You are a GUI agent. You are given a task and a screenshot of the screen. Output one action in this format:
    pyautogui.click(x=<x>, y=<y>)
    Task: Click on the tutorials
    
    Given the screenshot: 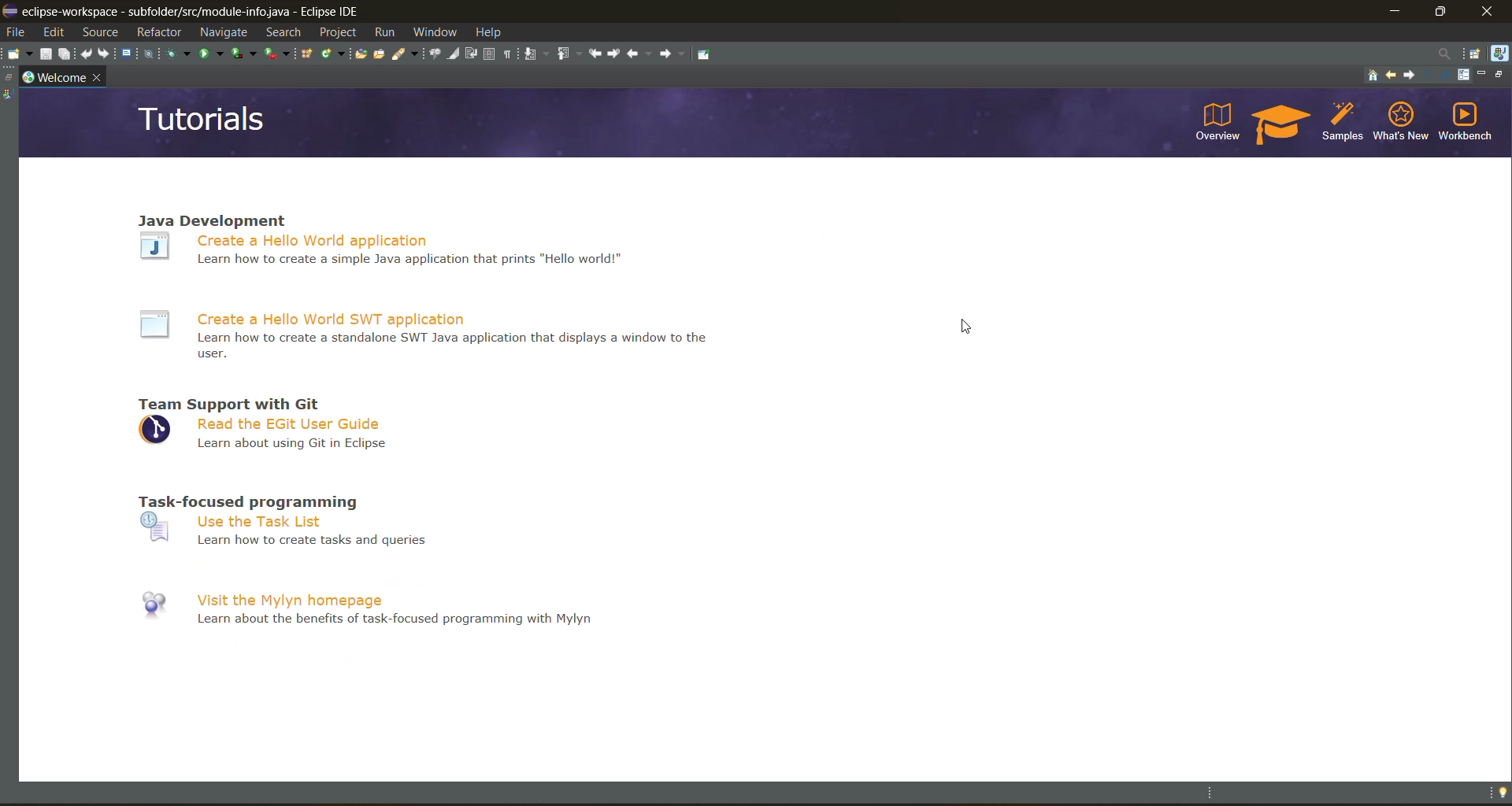 What is the action you would take?
    pyautogui.click(x=203, y=121)
    